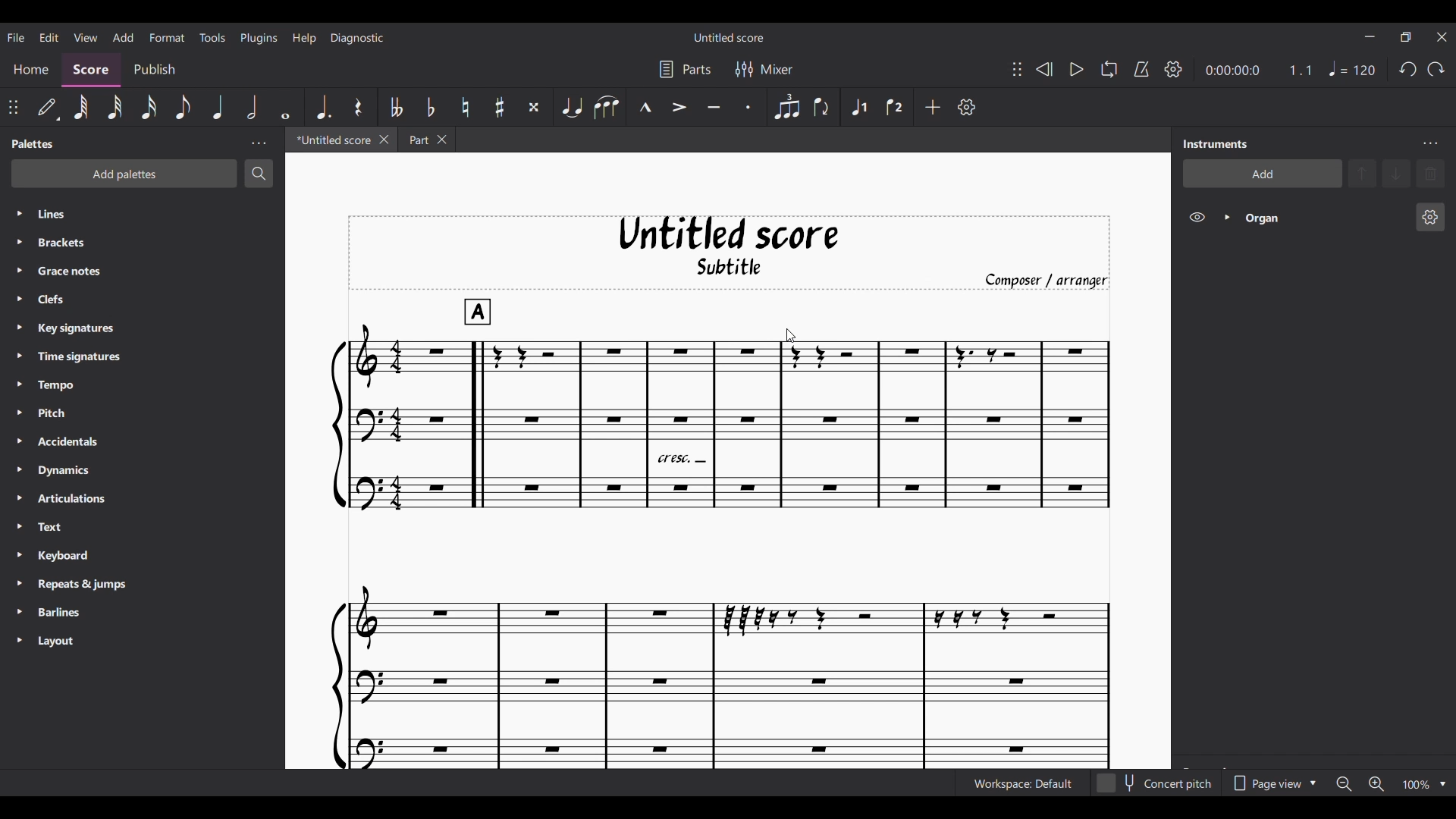 Image resolution: width=1456 pixels, height=819 pixels. What do you see at coordinates (123, 36) in the screenshot?
I see `Add menu` at bounding box center [123, 36].